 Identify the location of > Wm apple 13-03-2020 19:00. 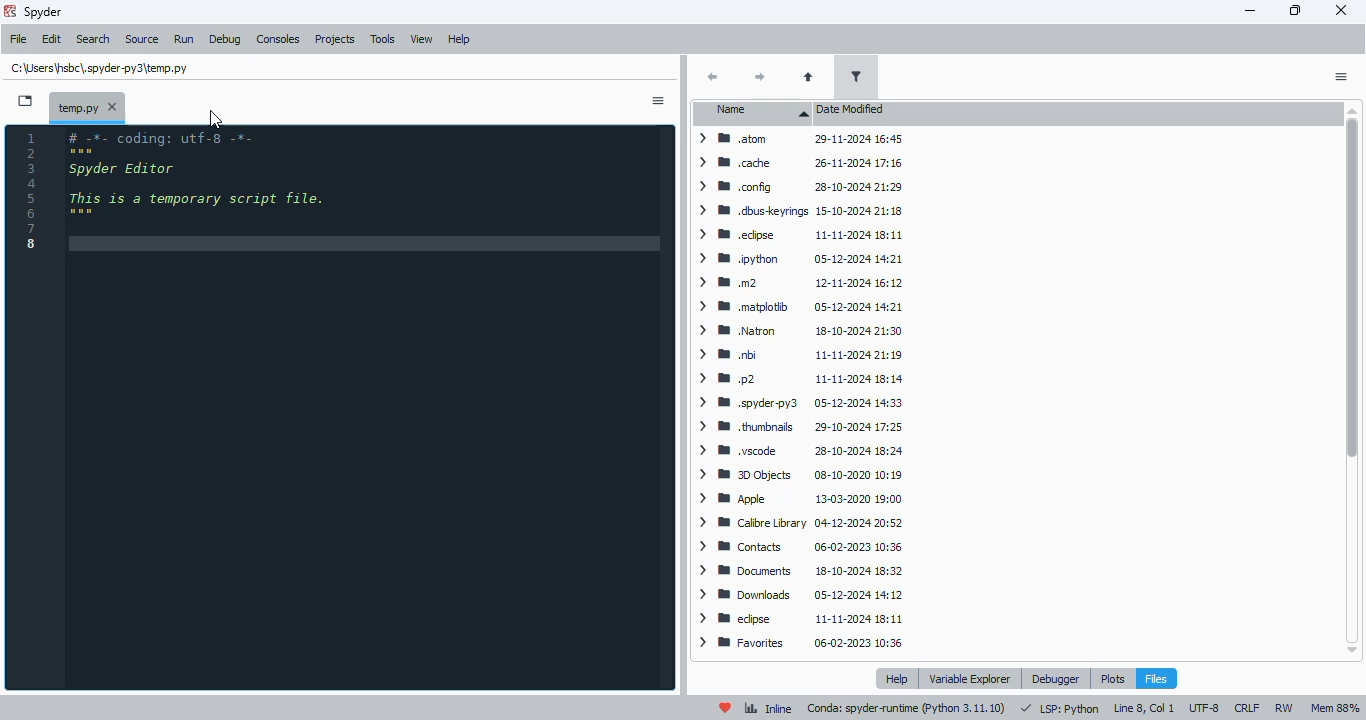
(802, 500).